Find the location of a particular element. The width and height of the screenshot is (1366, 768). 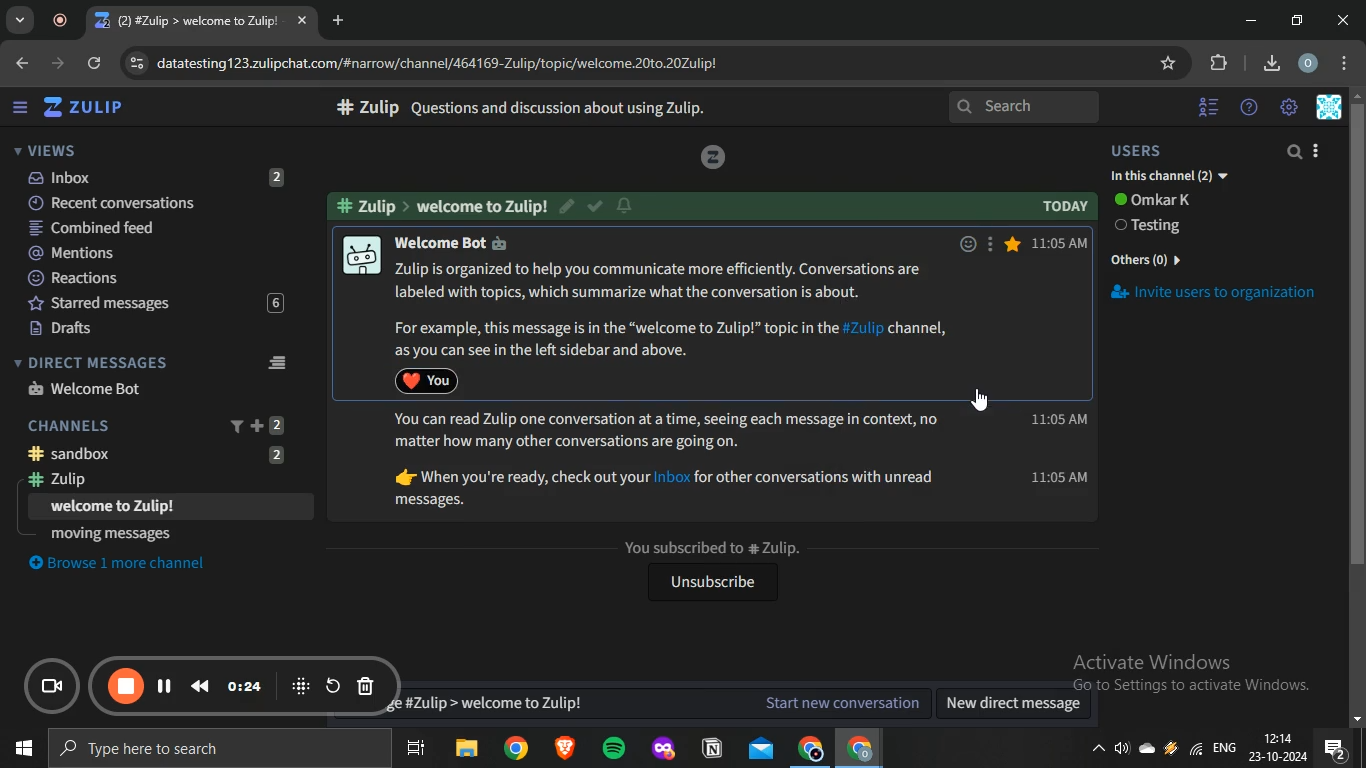

users is located at coordinates (1153, 151).